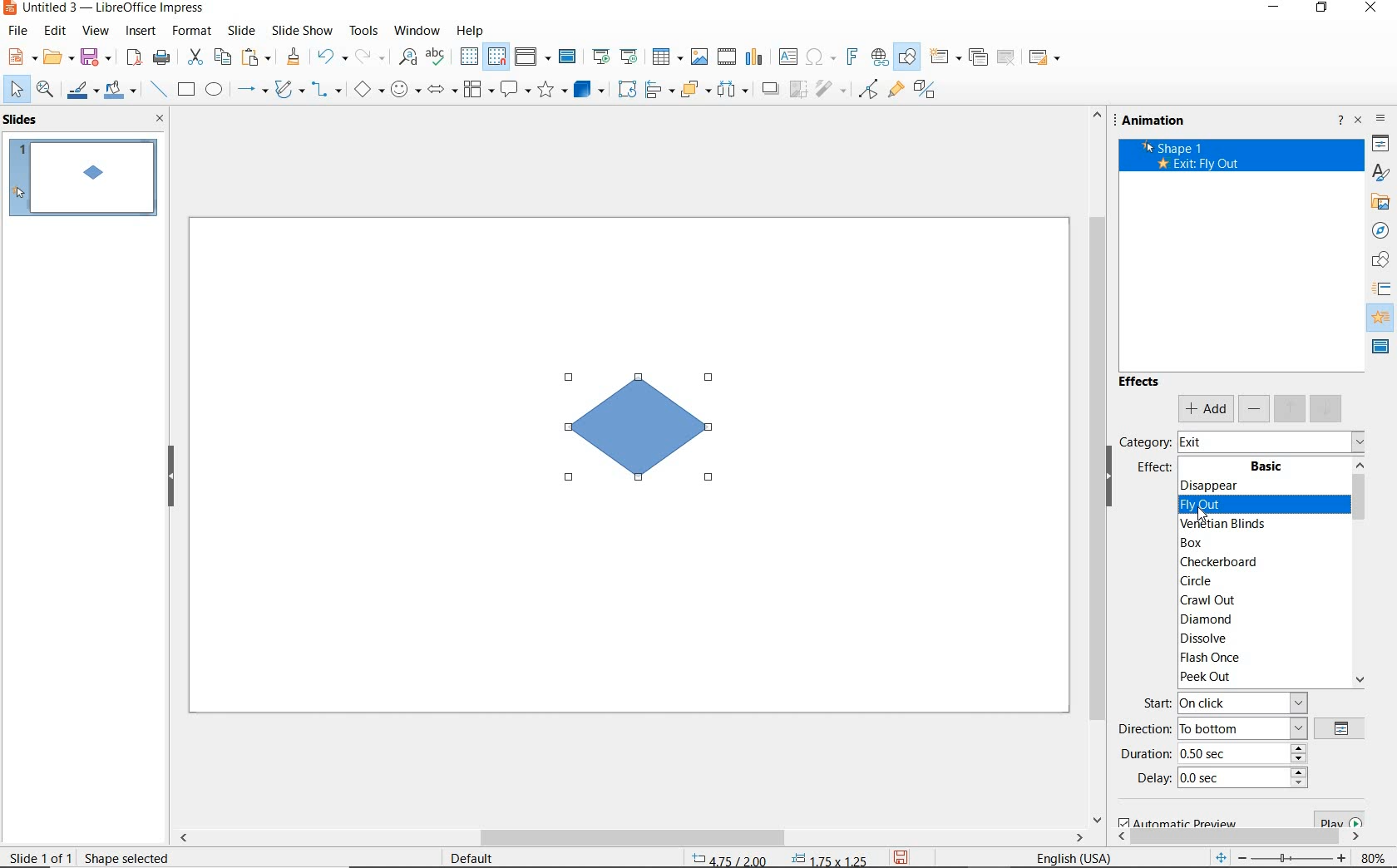  What do you see at coordinates (368, 89) in the screenshot?
I see `basic shapes` at bounding box center [368, 89].